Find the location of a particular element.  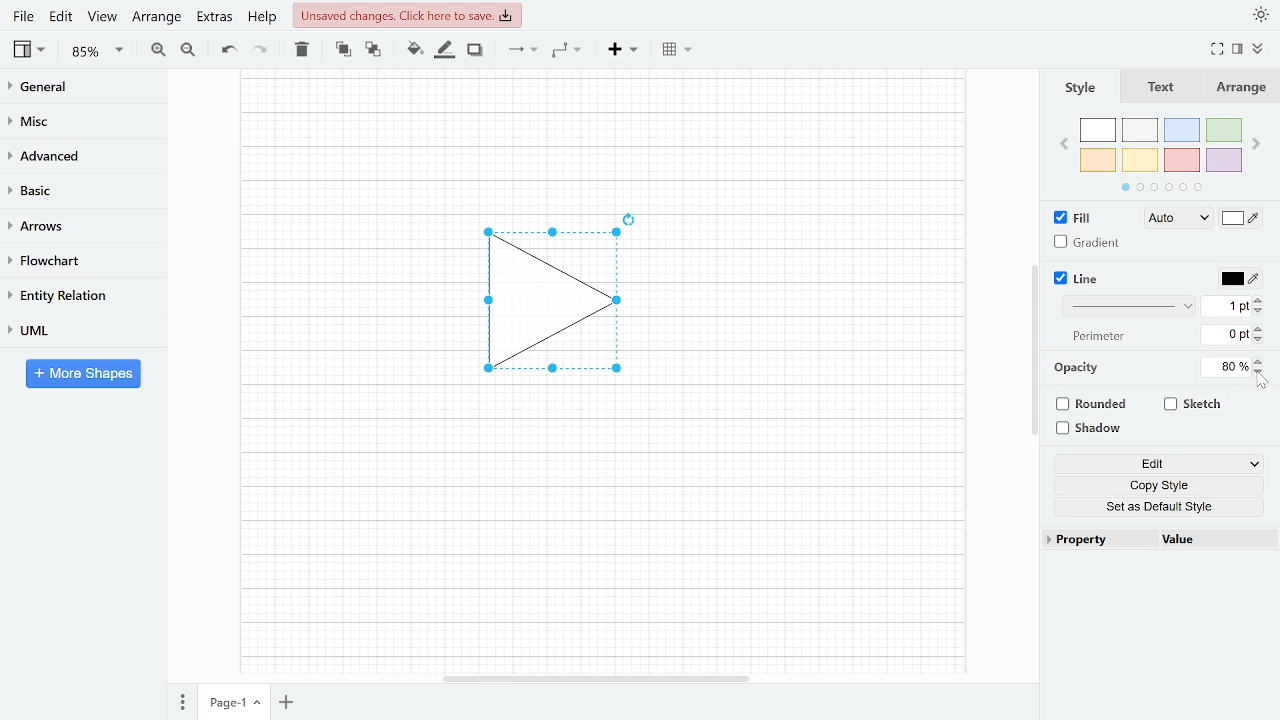

Arrows is located at coordinates (74, 225).